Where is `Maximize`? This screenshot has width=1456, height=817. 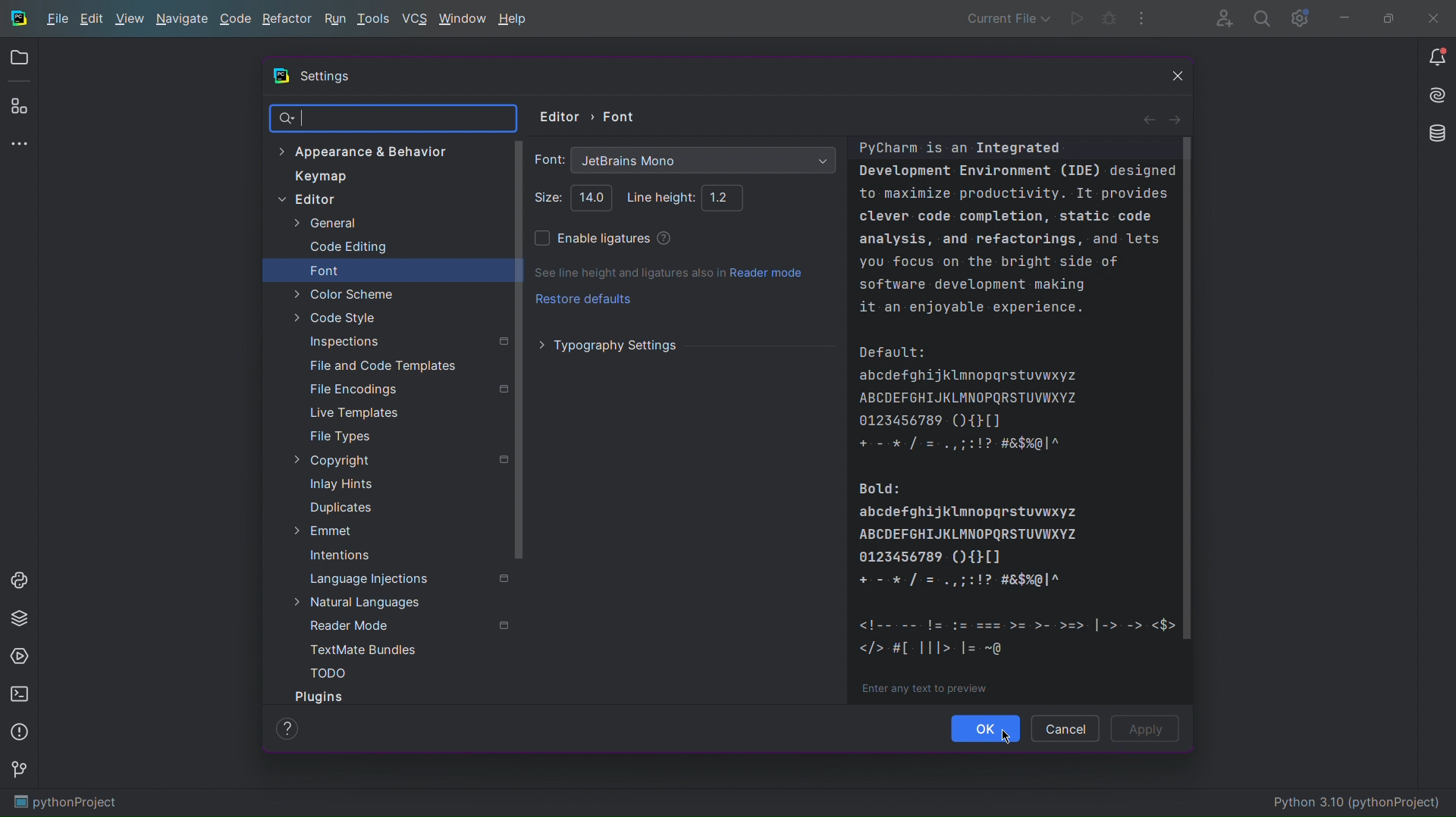
Maximize is located at coordinates (1385, 18).